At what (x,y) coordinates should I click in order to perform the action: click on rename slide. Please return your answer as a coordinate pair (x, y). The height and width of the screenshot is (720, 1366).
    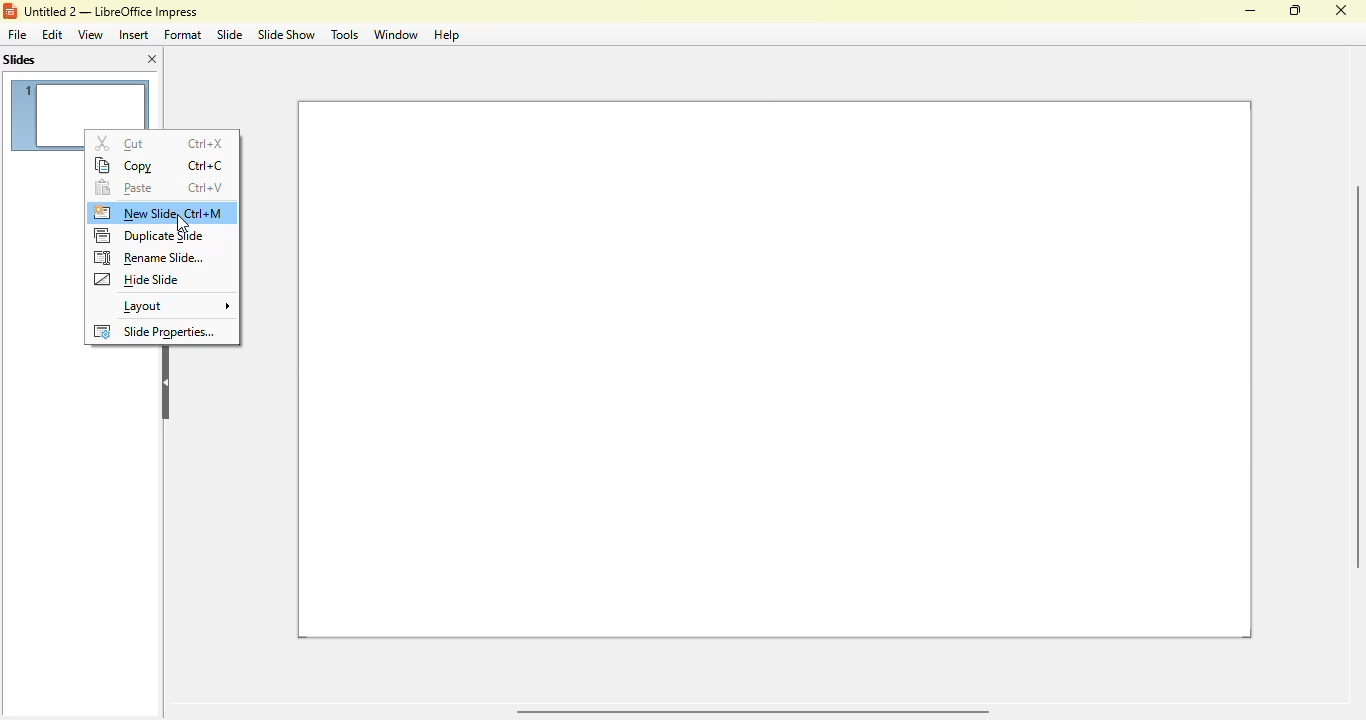
    Looking at the image, I should click on (150, 258).